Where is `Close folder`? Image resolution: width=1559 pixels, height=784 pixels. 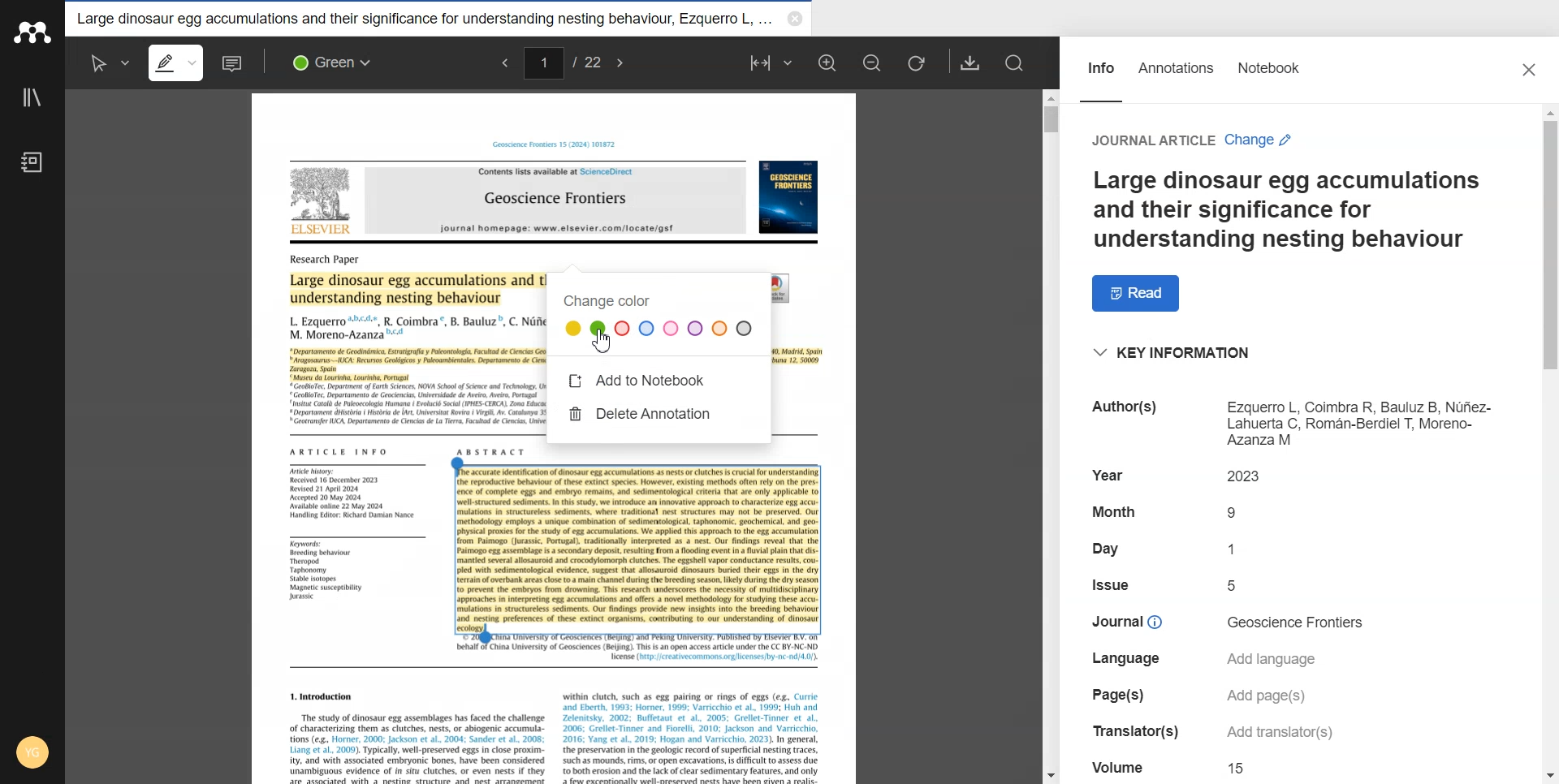
Close folder is located at coordinates (795, 20).